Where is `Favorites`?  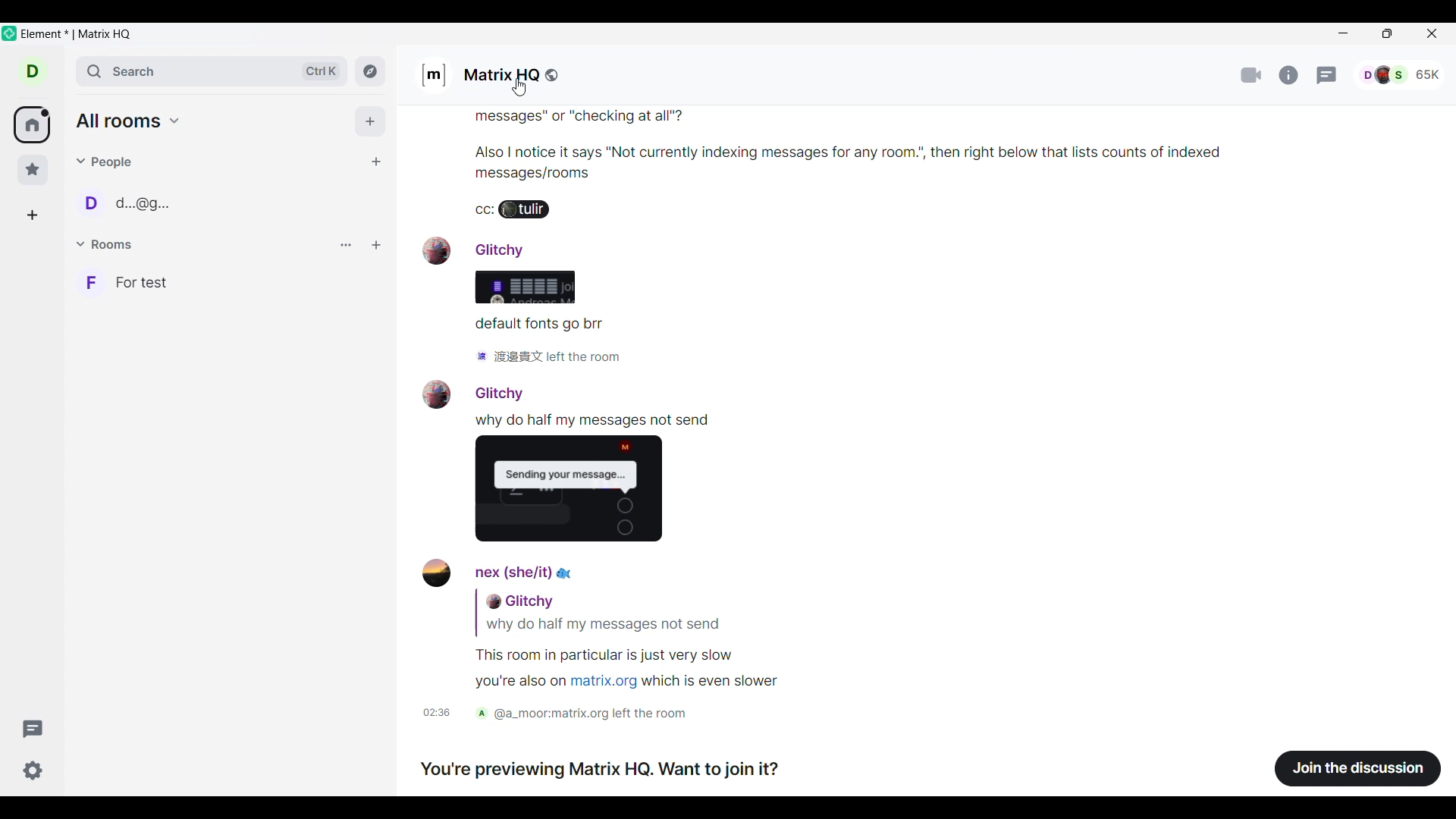
Favorites is located at coordinates (33, 170).